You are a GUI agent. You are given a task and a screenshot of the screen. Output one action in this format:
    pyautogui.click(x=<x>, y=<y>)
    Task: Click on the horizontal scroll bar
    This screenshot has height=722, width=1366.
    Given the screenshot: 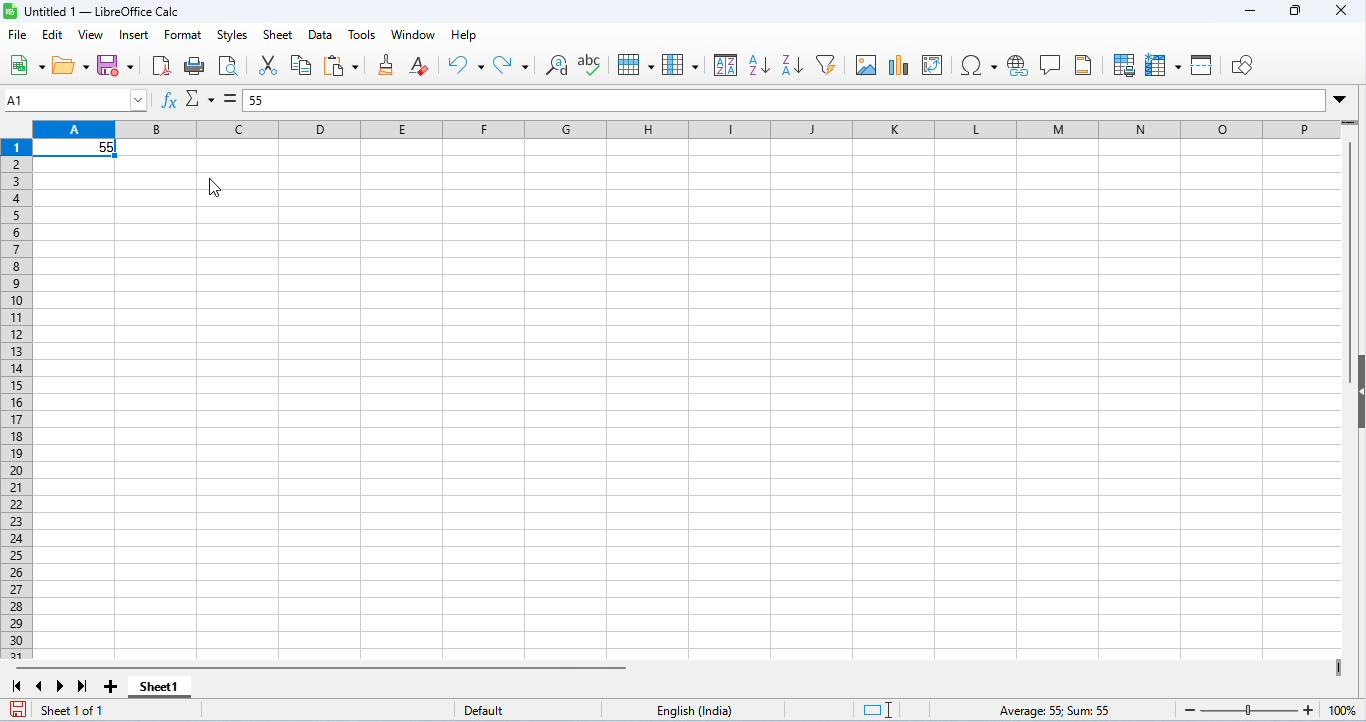 What is the action you would take?
    pyautogui.click(x=321, y=667)
    